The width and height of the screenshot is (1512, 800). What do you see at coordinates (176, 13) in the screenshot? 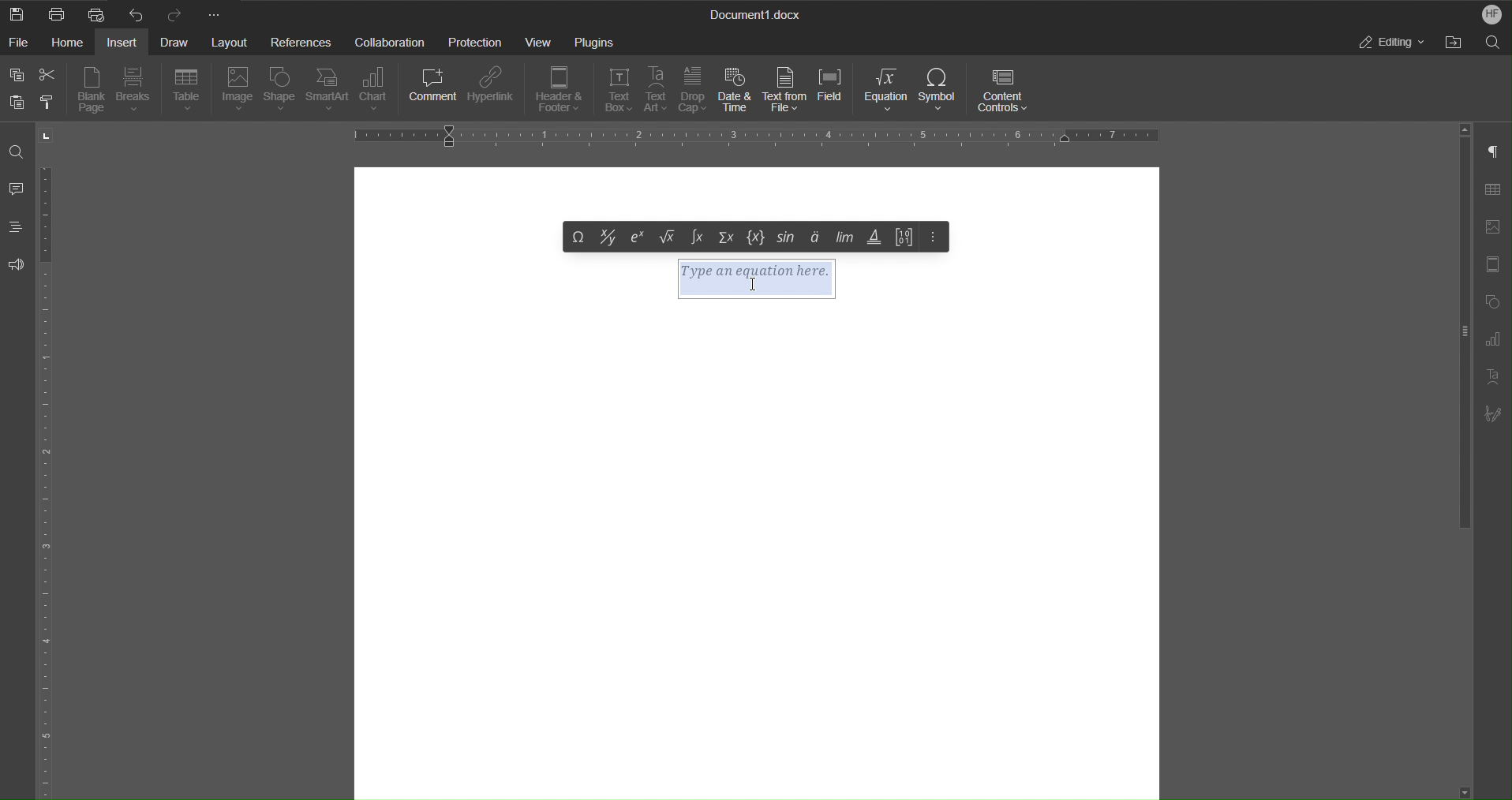
I see `Redo` at bounding box center [176, 13].